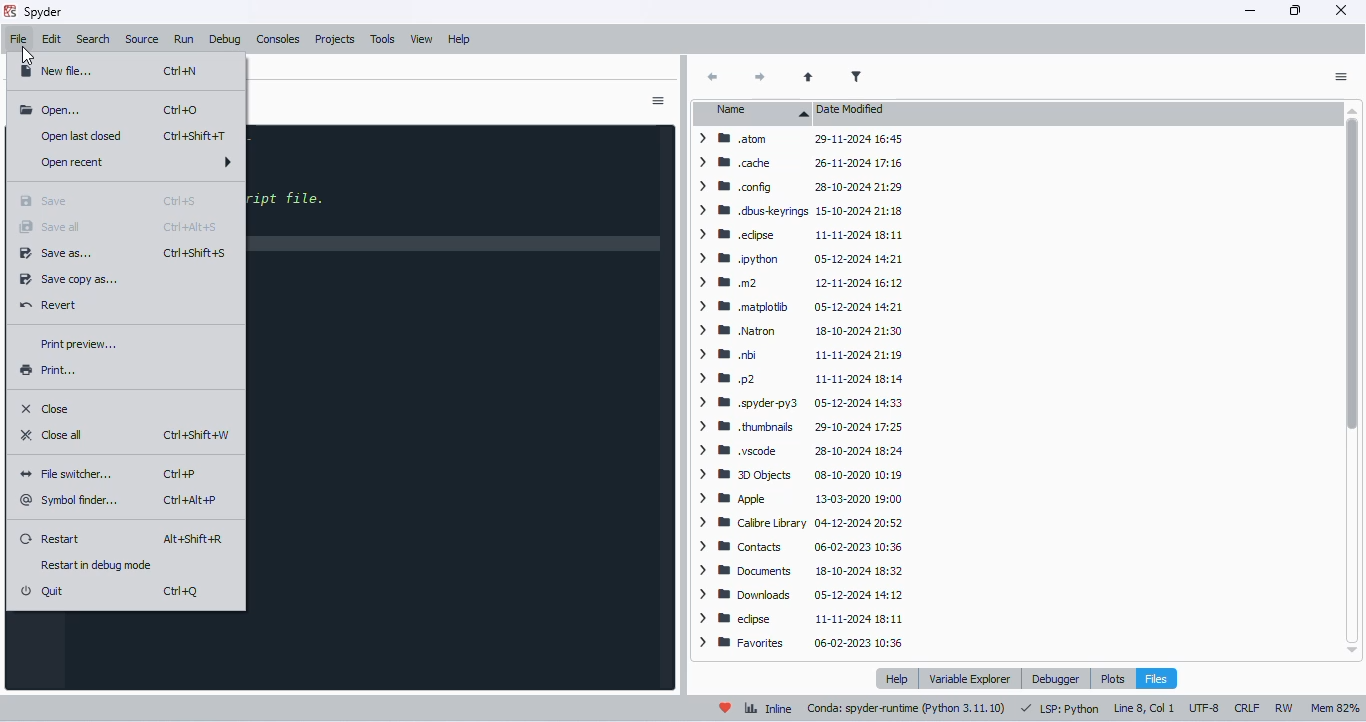 Image resolution: width=1366 pixels, height=722 pixels. I want to click on save, so click(46, 202).